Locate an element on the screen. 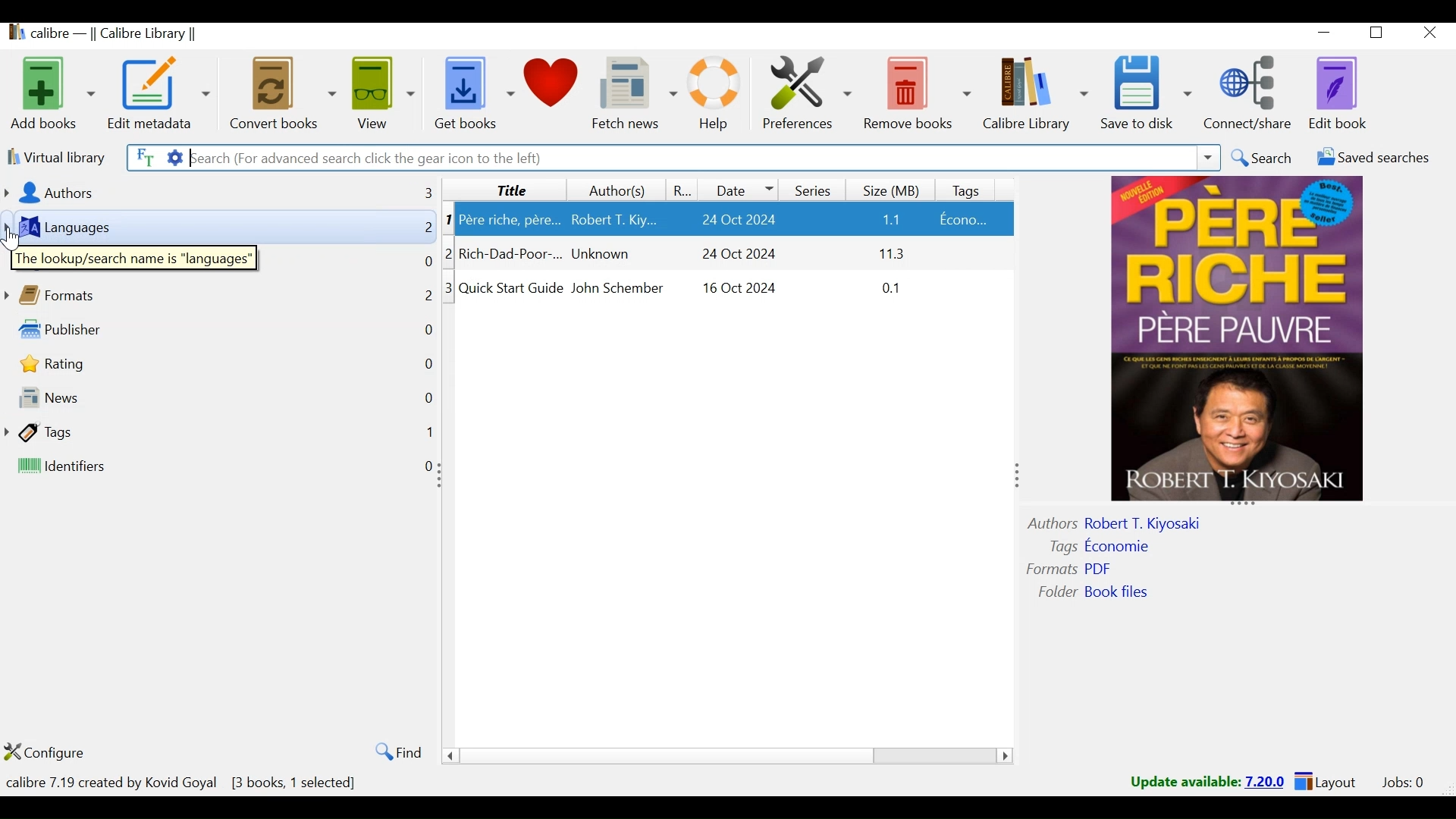 The width and height of the screenshot is (1456, 819). 3 is located at coordinates (447, 288).